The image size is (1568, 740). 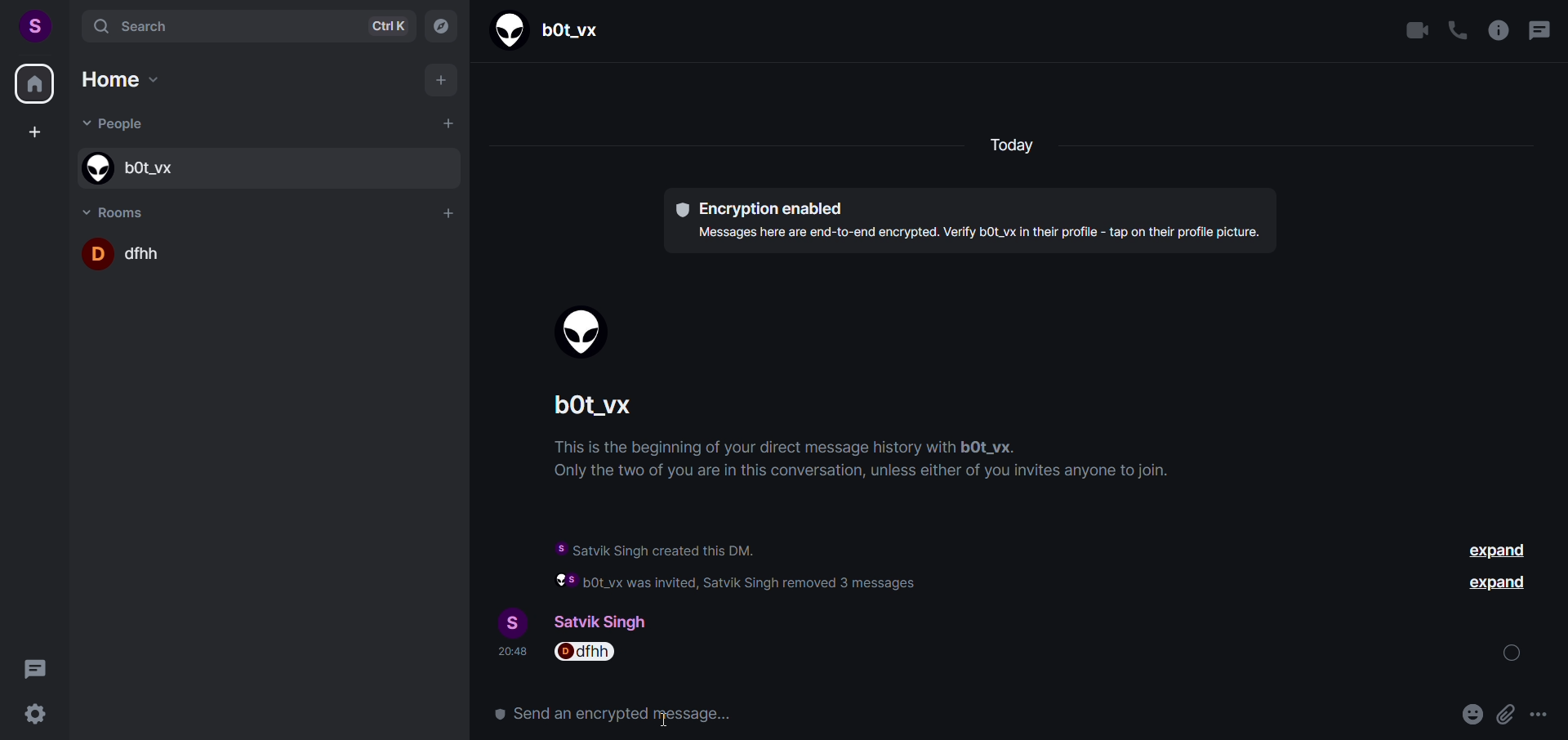 I want to click on notification, so click(x=784, y=564).